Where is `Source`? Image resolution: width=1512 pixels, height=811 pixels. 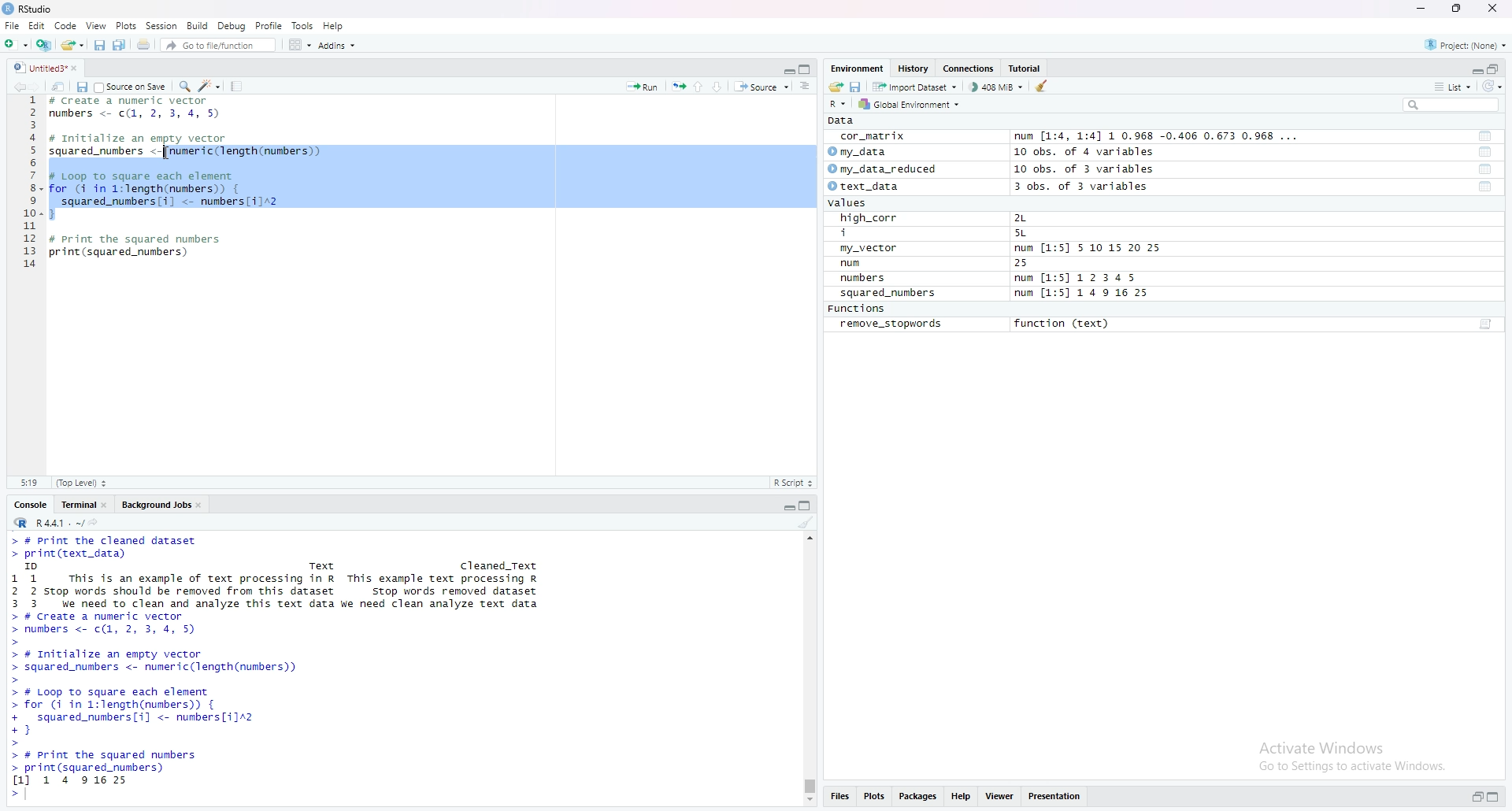 Source is located at coordinates (762, 86).